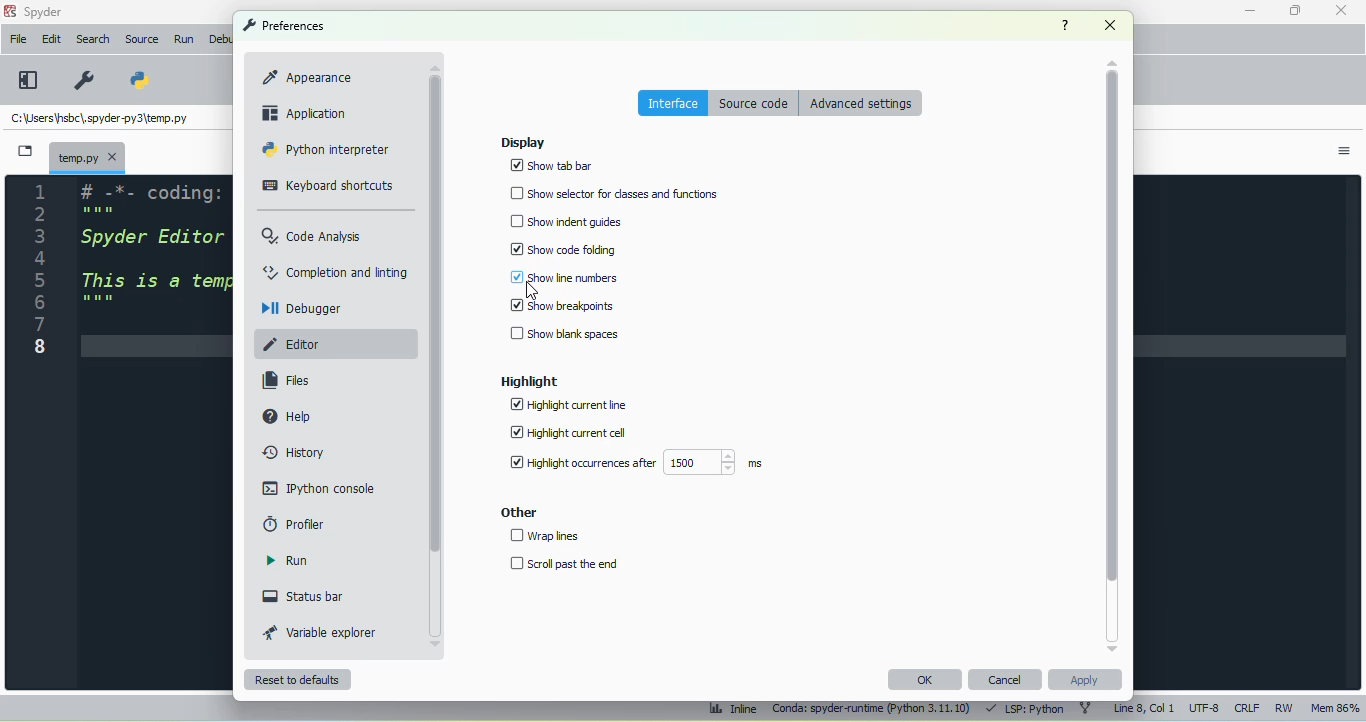 This screenshot has width=1366, height=722. What do you see at coordinates (567, 432) in the screenshot?
I see `highlight current cell` at bounding box center [567, 432].